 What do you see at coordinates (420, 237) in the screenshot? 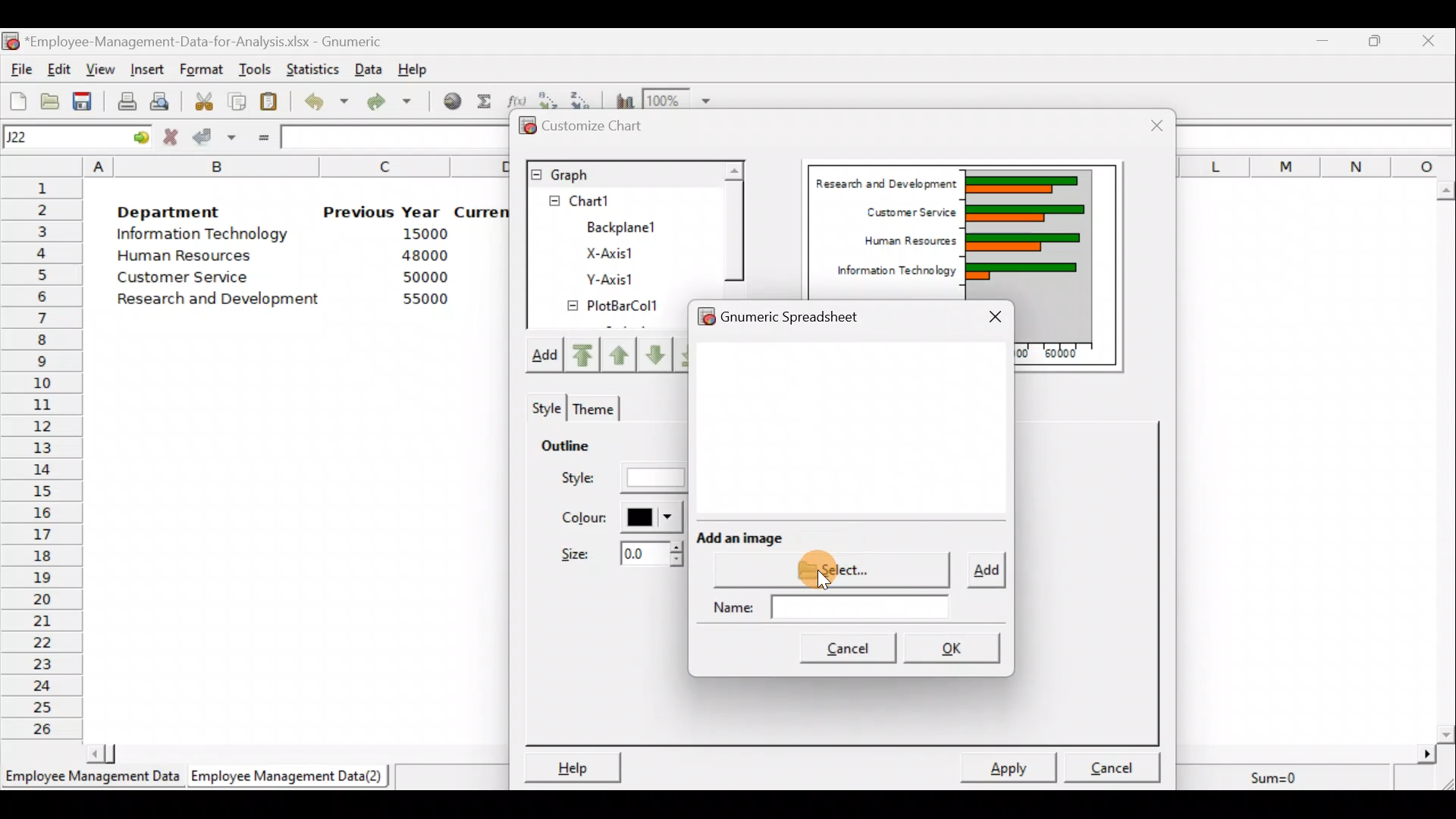
I see `15000` at bounding box center [420, 237].